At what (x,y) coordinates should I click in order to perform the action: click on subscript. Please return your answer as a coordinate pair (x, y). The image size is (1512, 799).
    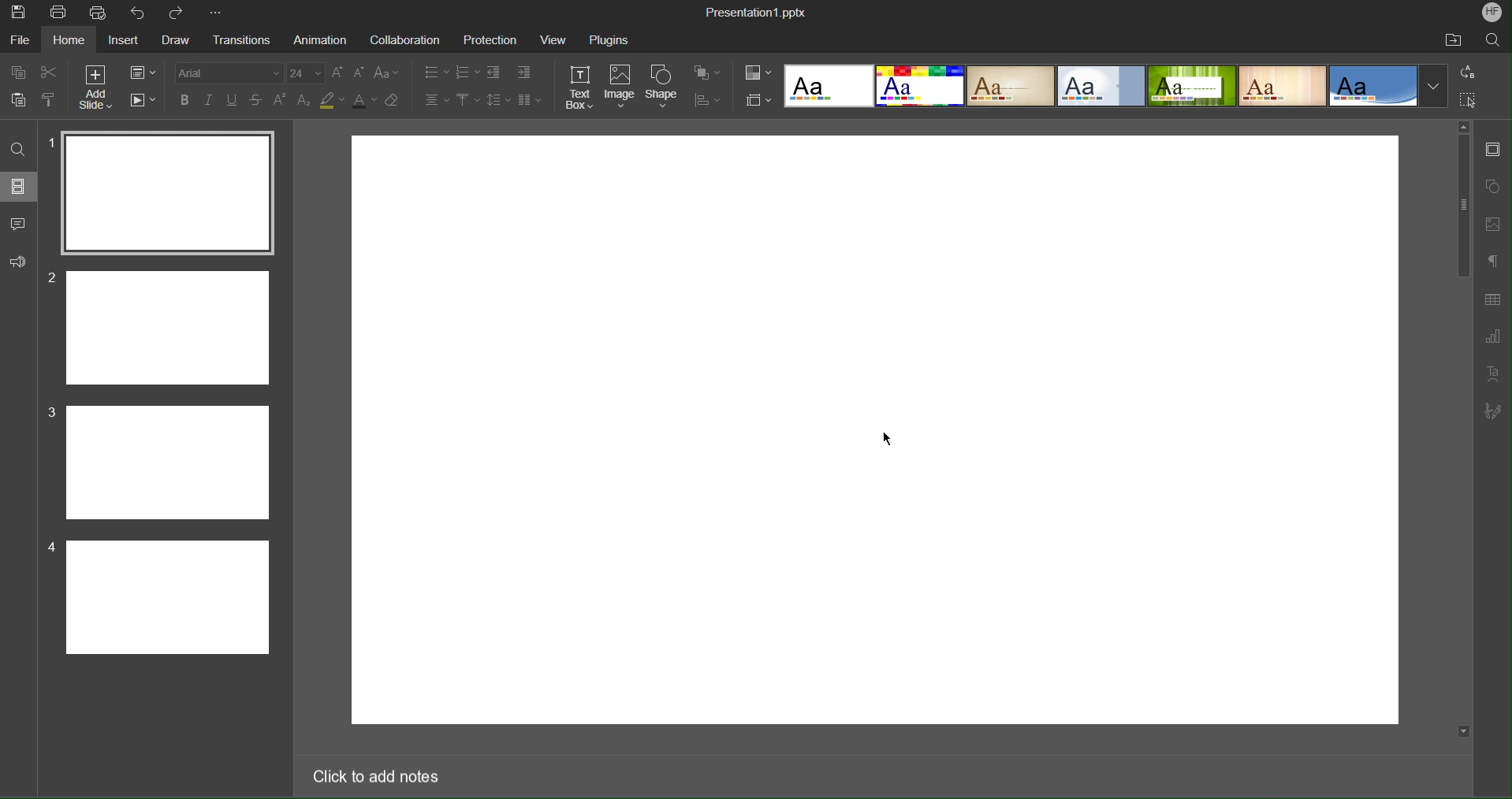
    Looking at the image, I should click on (306, 101).